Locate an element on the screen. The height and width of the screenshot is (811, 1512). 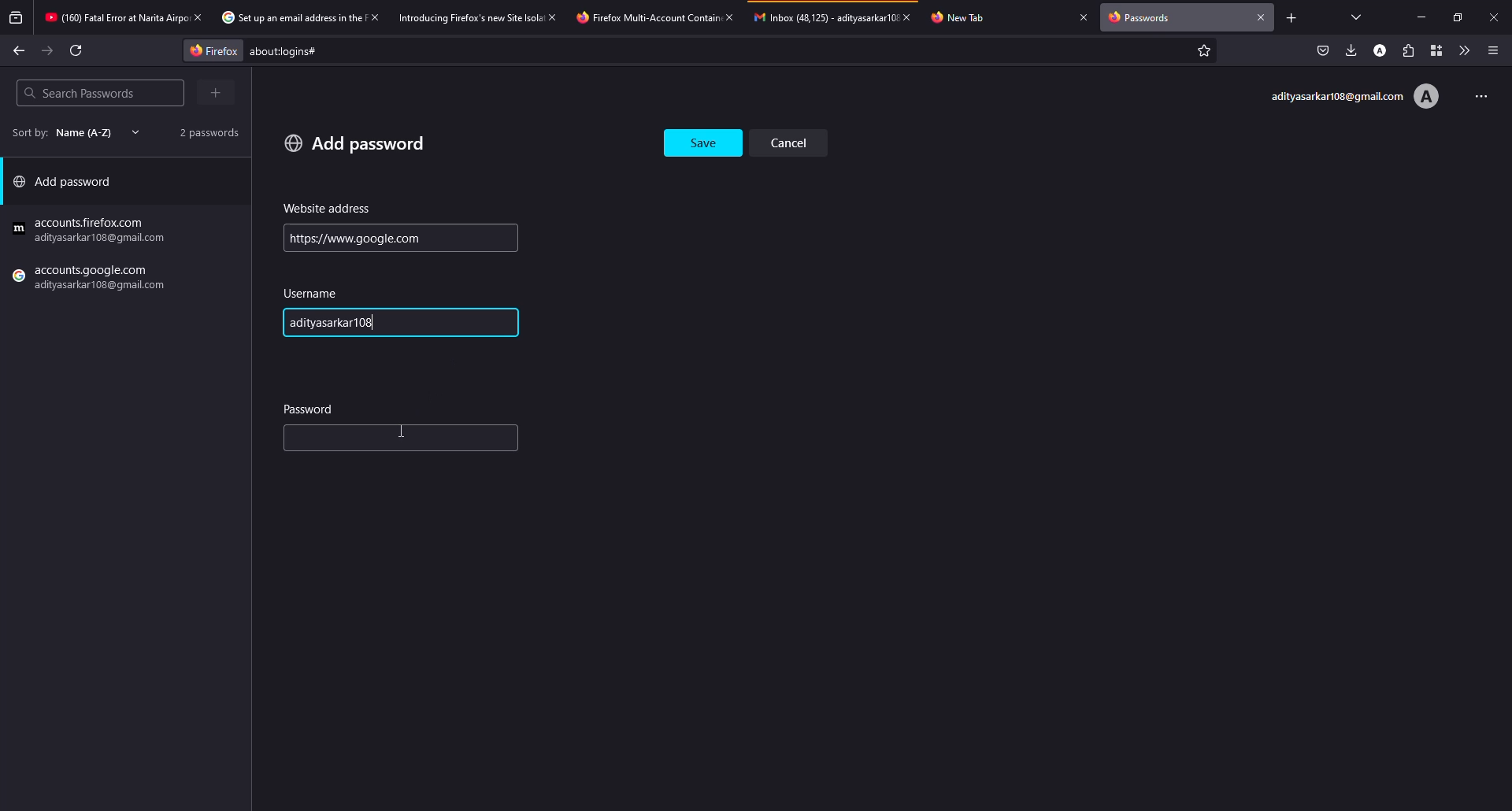
username is located at coordinates (345, 324).